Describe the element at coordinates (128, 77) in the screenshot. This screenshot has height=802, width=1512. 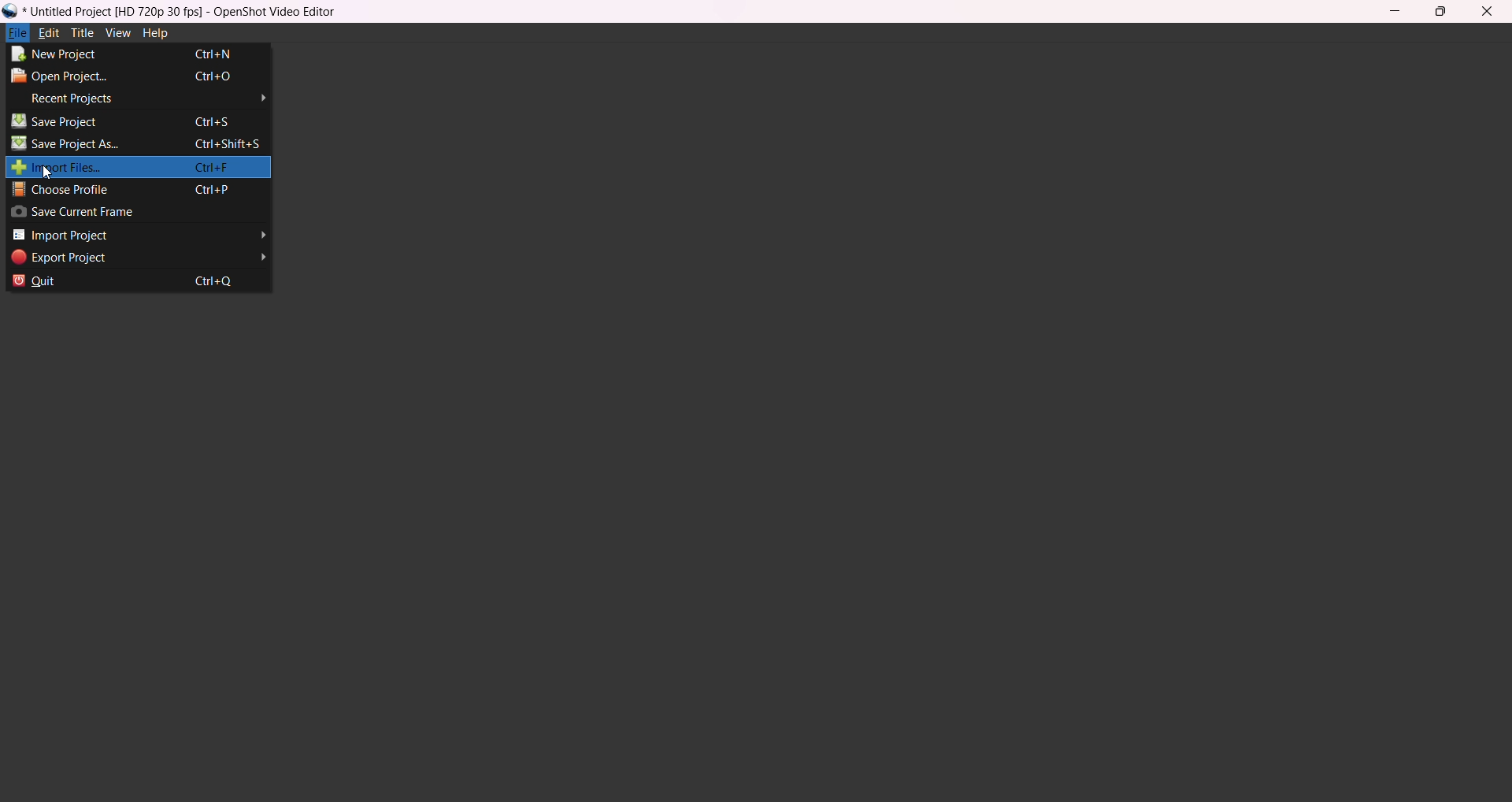
I see `open project` at that location.